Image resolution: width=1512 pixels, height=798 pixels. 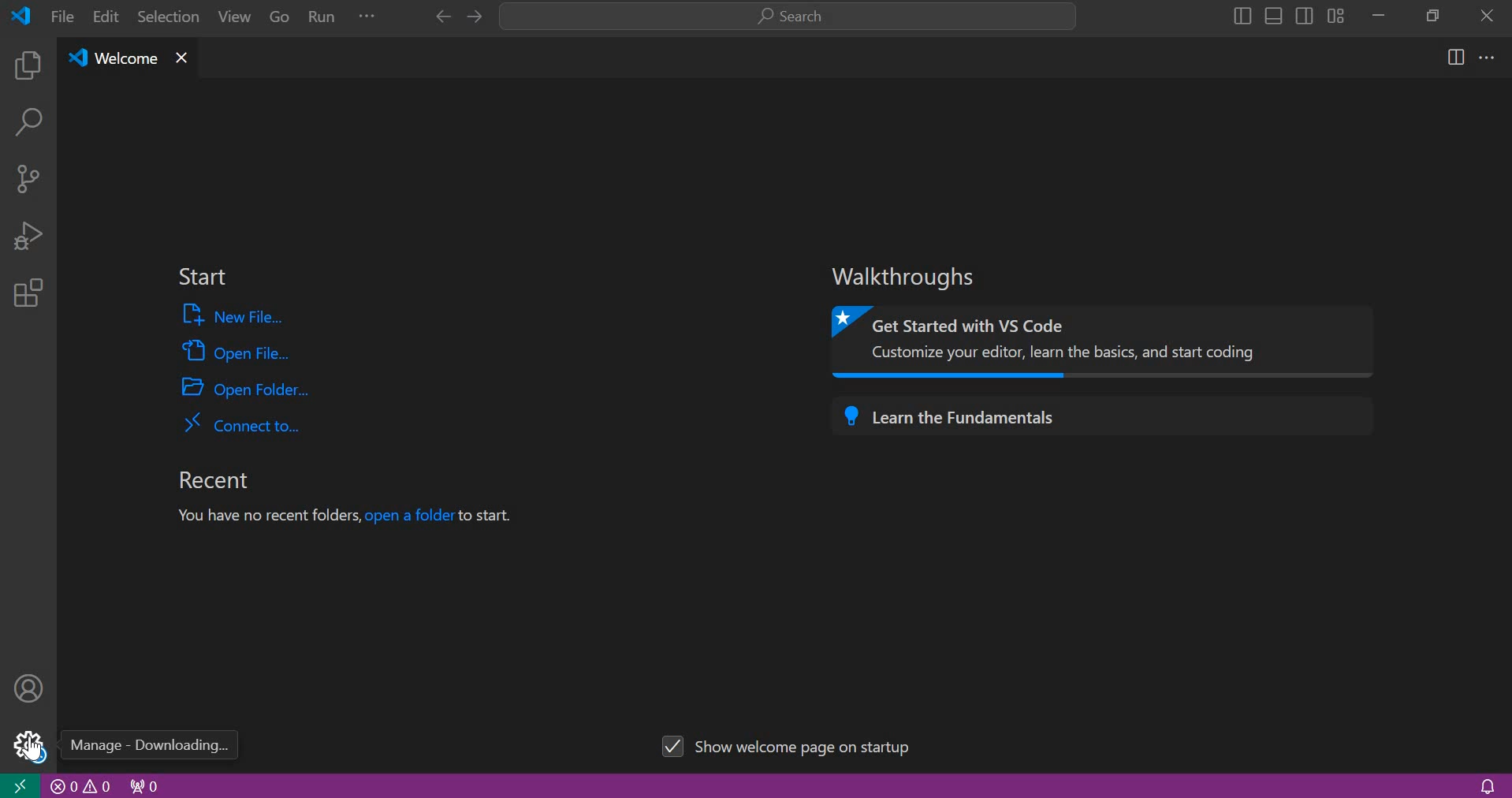 I want to click on go, so click(x=280, y=19).